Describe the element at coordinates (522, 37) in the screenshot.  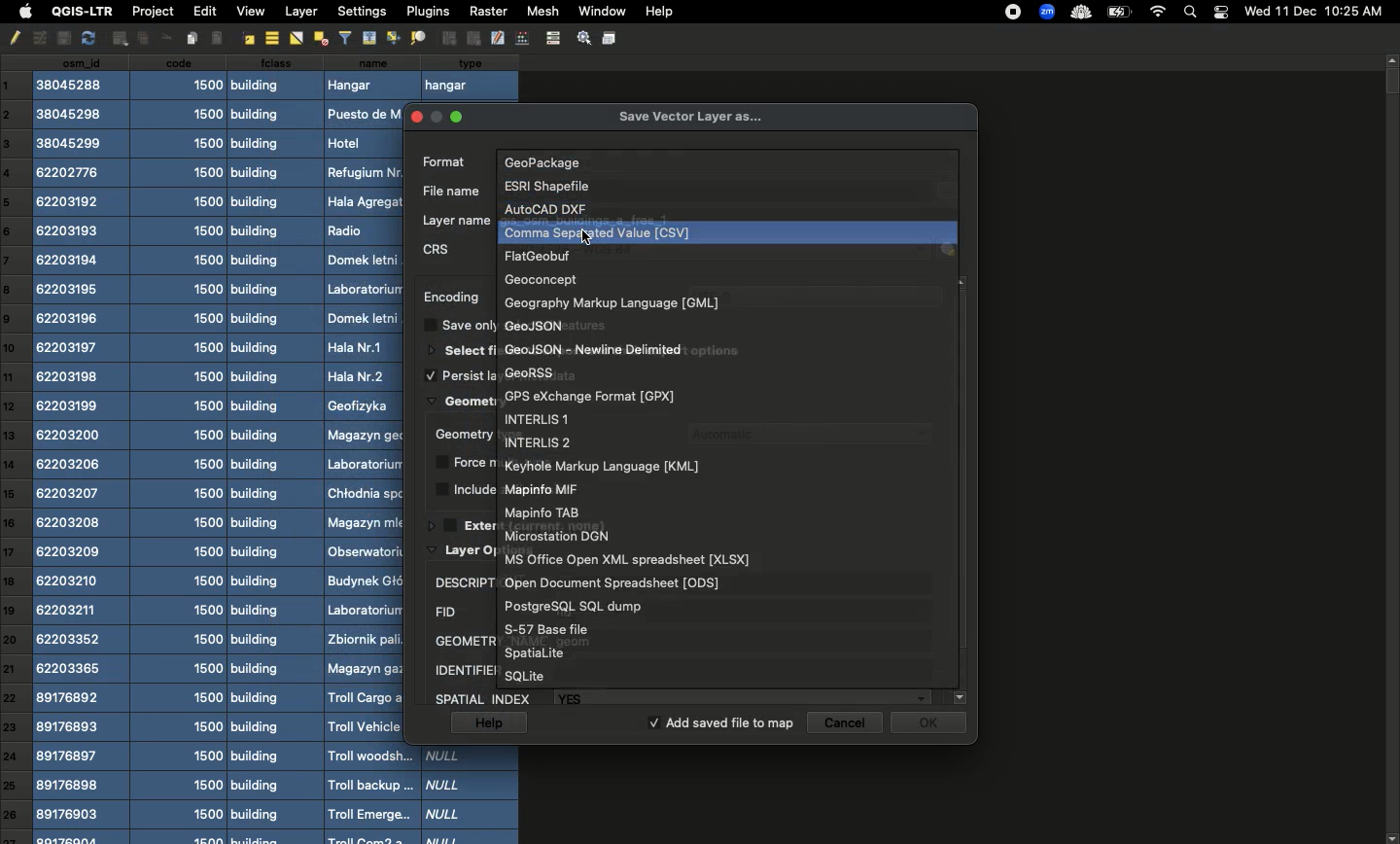
I see `Edit Points` at that location.